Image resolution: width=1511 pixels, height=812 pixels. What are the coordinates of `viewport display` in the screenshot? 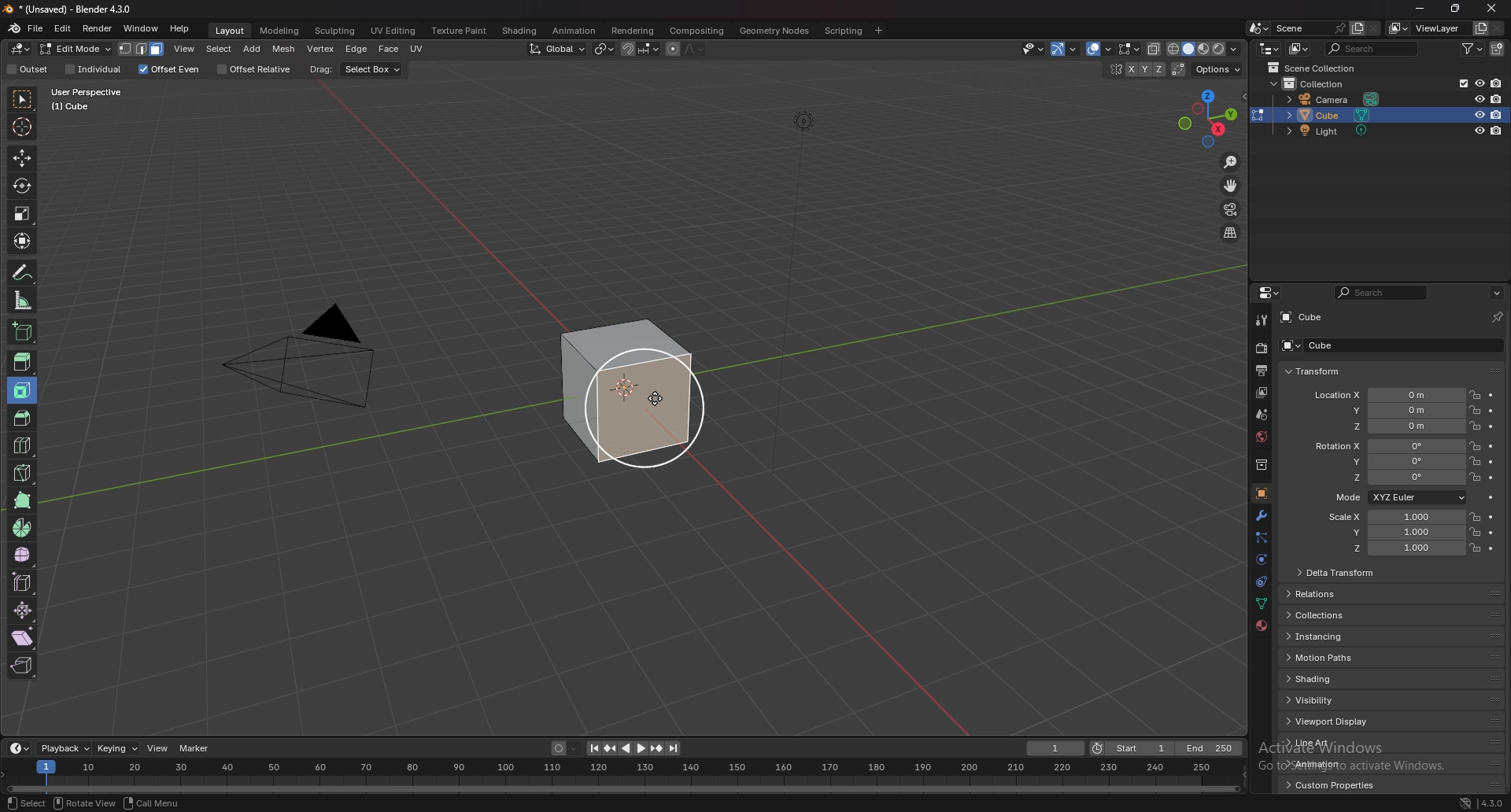 It's located at (1332, 722).